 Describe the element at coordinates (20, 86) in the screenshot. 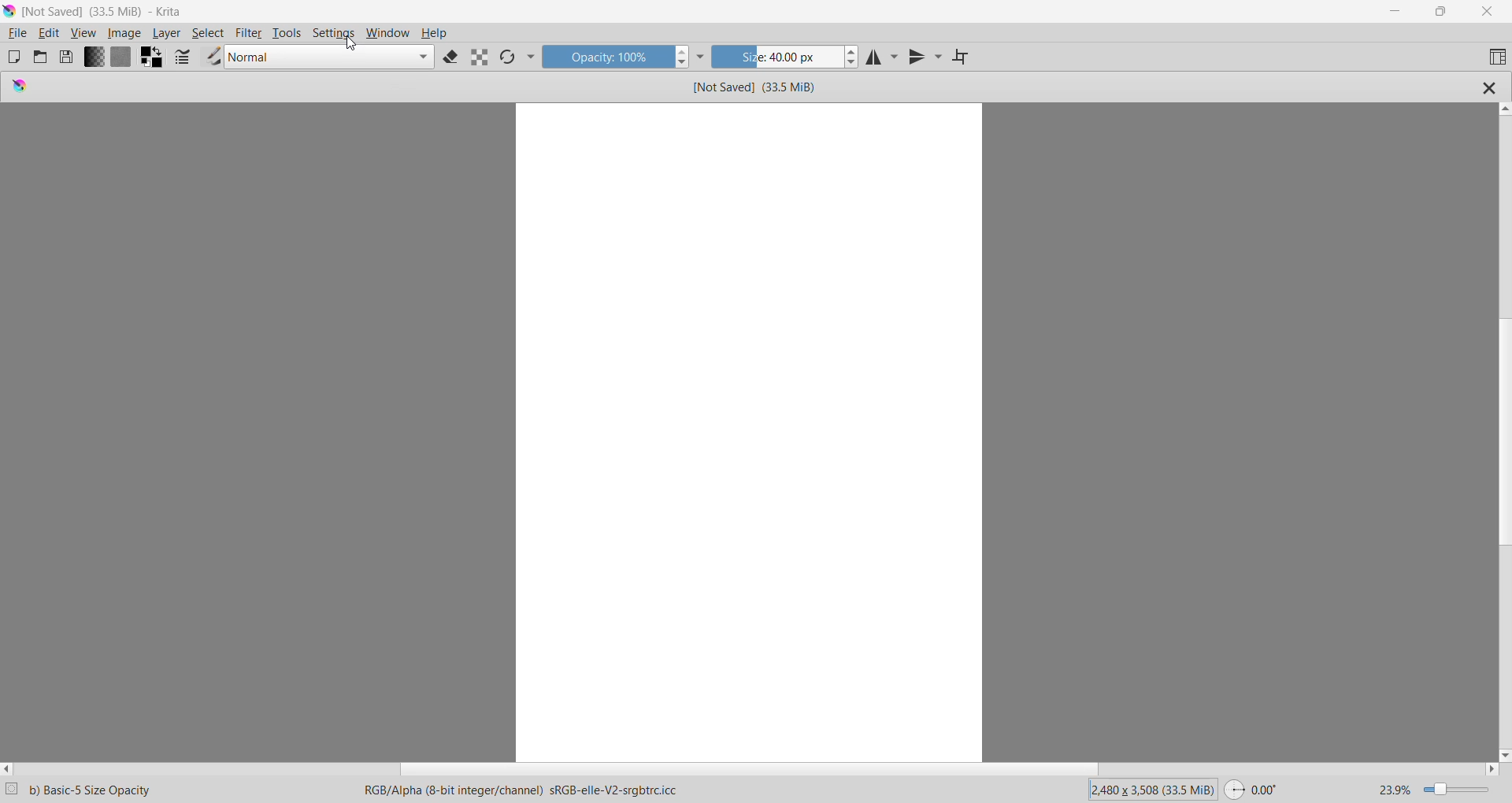

I see `logo` at that location.